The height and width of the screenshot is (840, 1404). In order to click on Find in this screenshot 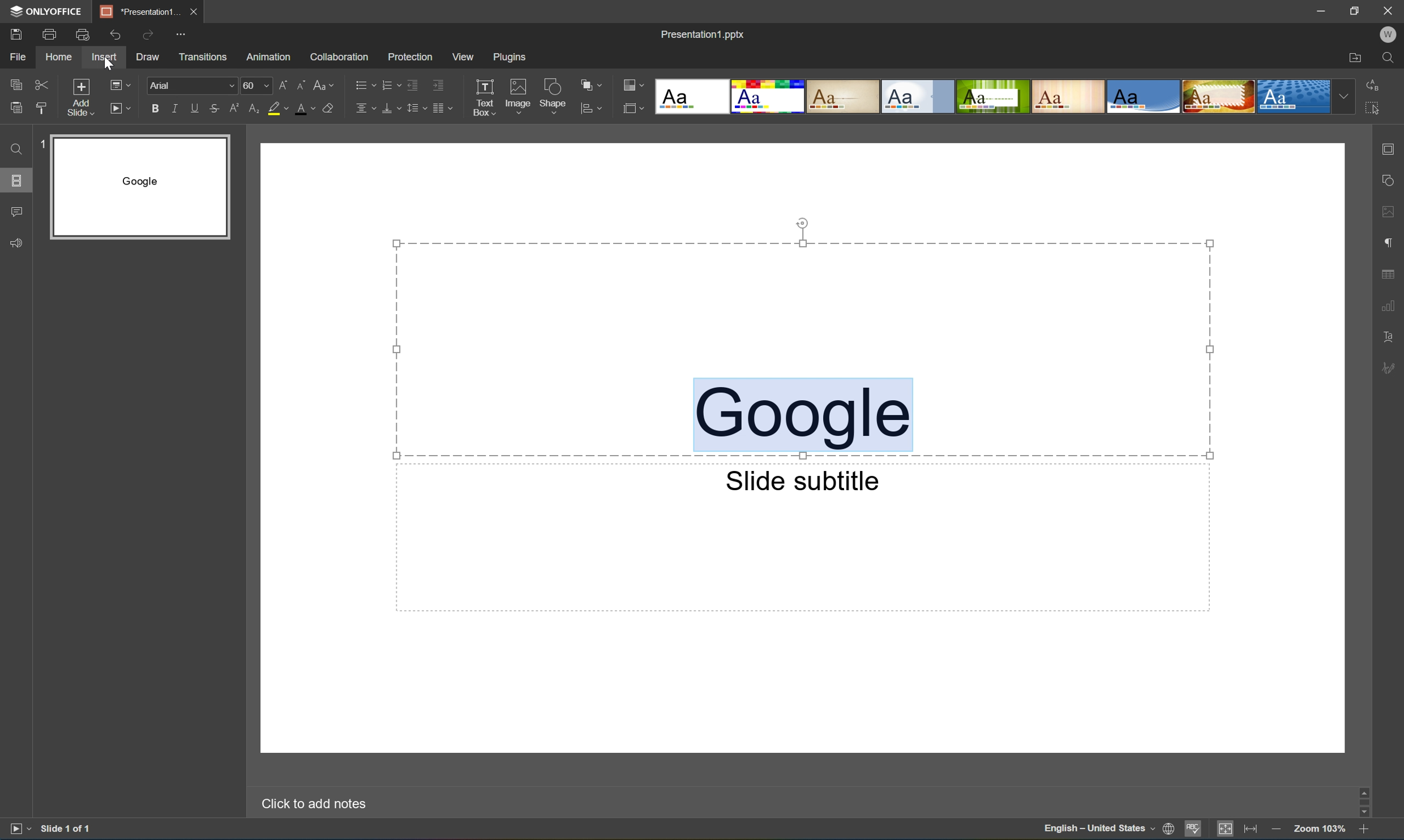, I will do `click(15, 149)`.